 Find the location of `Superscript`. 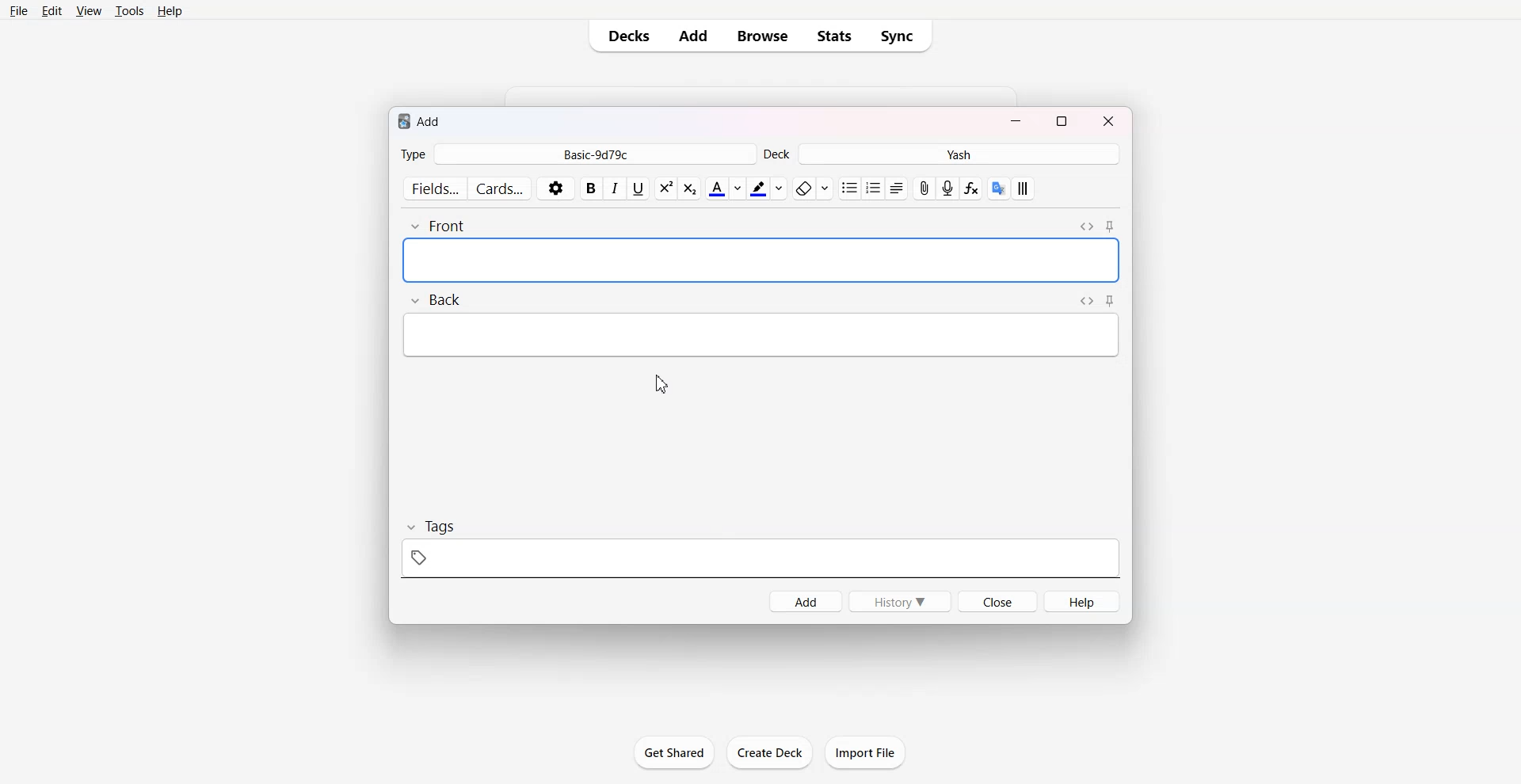

Superscript is located at coordinates (690, 188).